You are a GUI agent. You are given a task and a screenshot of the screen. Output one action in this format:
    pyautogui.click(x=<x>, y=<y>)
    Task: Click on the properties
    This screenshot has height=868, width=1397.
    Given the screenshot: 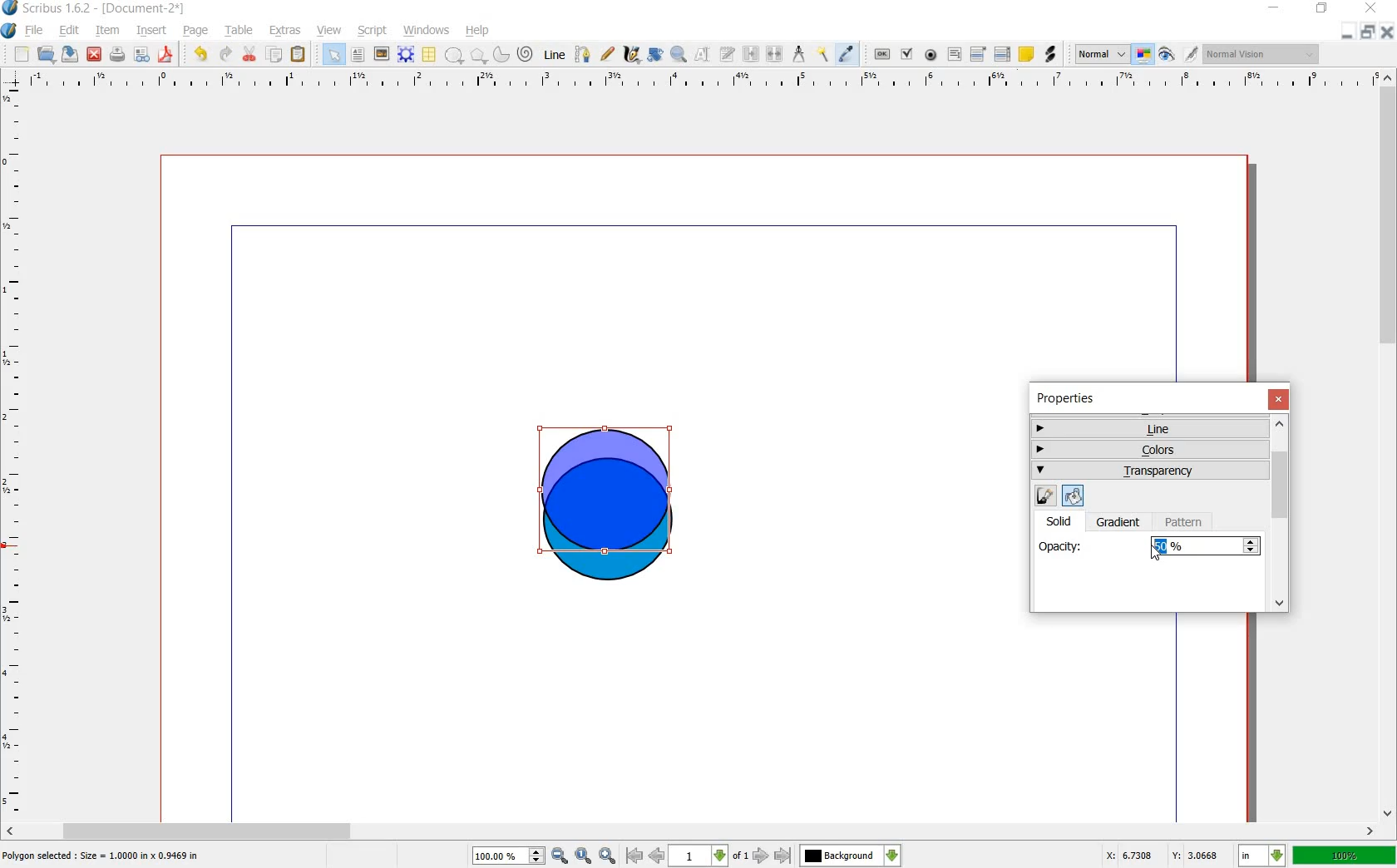 What is the action you would take?
    pyautogui.click(x=1071, y=398)
    